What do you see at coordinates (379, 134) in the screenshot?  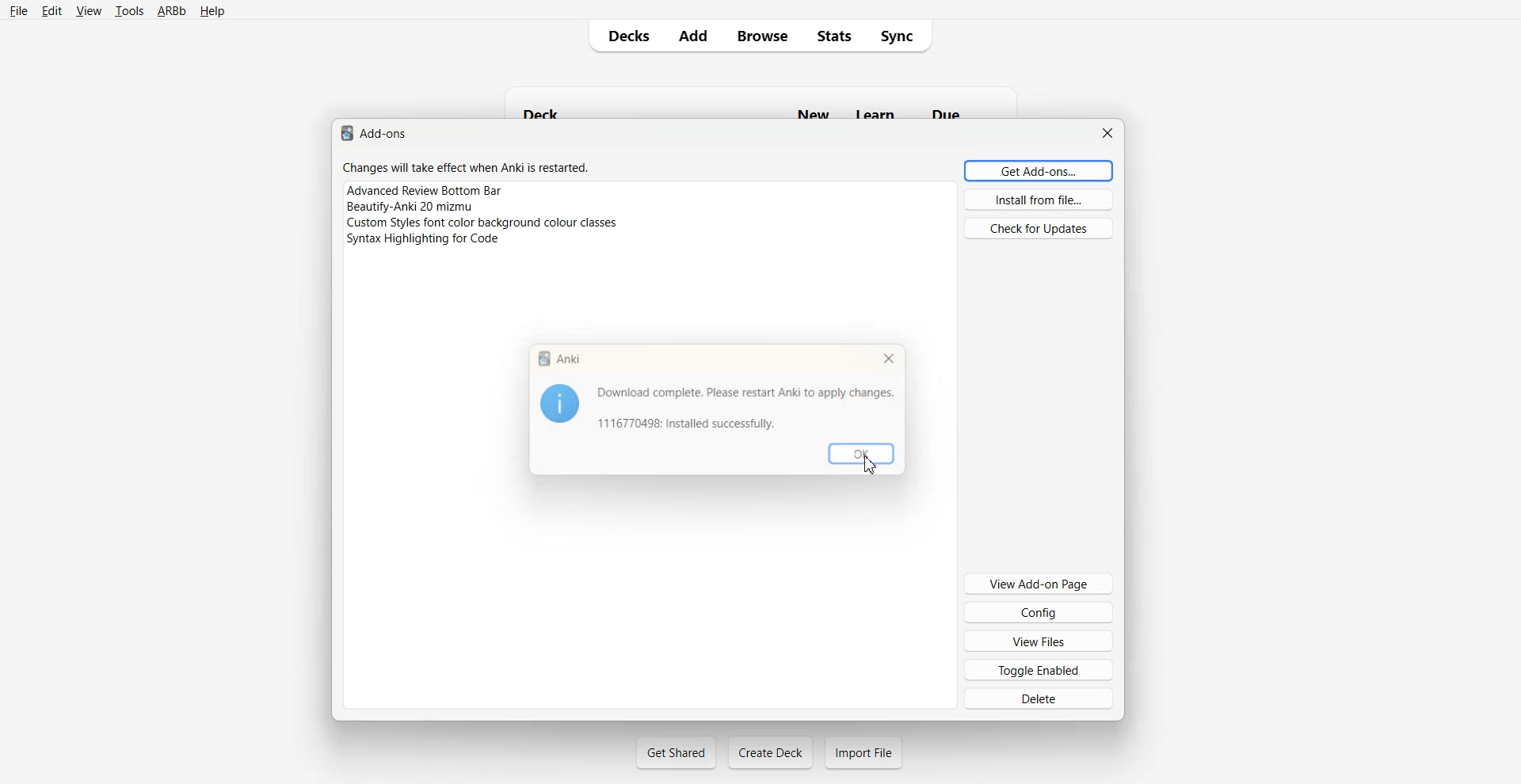 I see `Text 1` at bounding box center [379, 134].